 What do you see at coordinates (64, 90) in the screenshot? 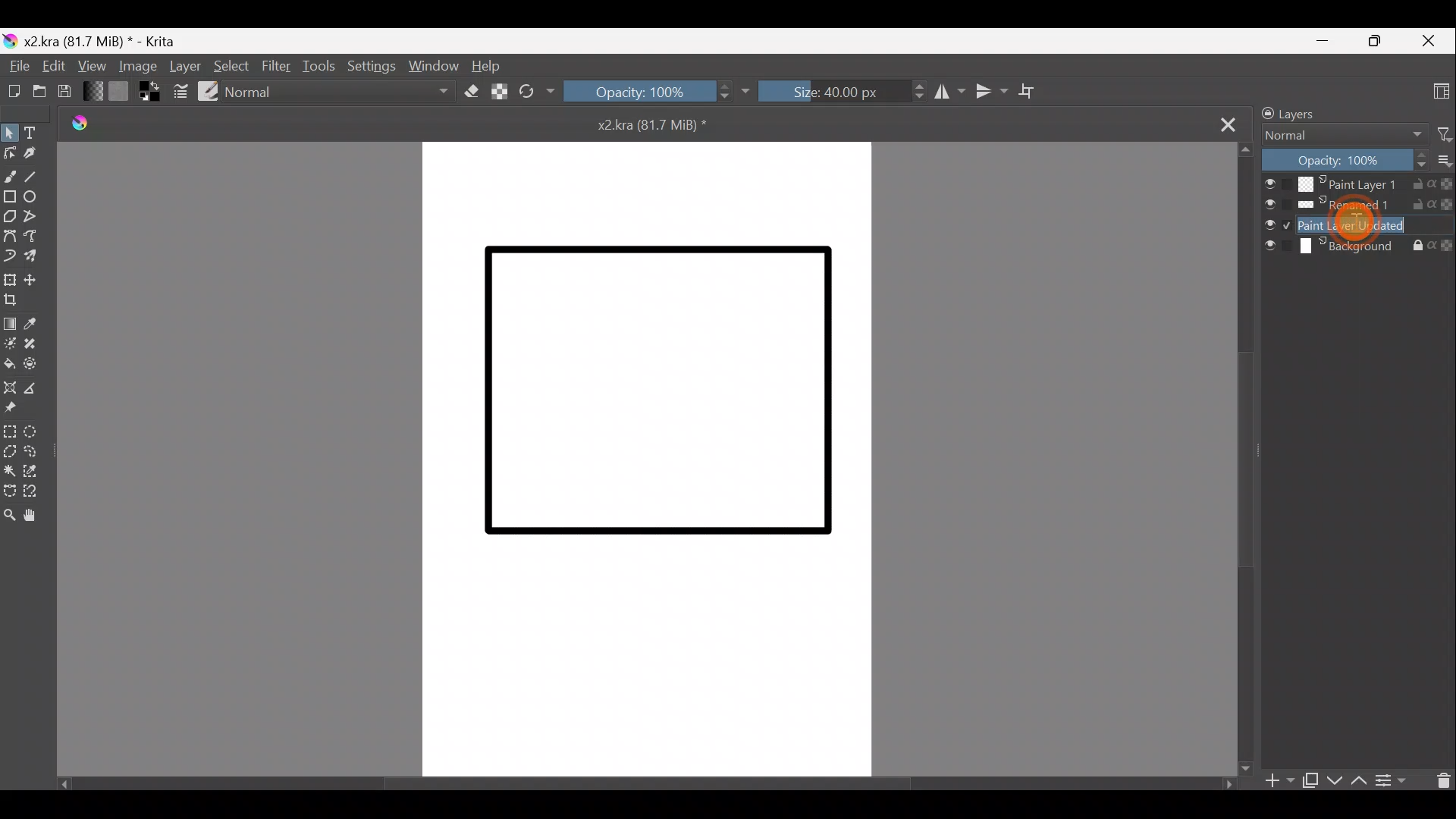
I see `Save` at bounding box center [64, 90].